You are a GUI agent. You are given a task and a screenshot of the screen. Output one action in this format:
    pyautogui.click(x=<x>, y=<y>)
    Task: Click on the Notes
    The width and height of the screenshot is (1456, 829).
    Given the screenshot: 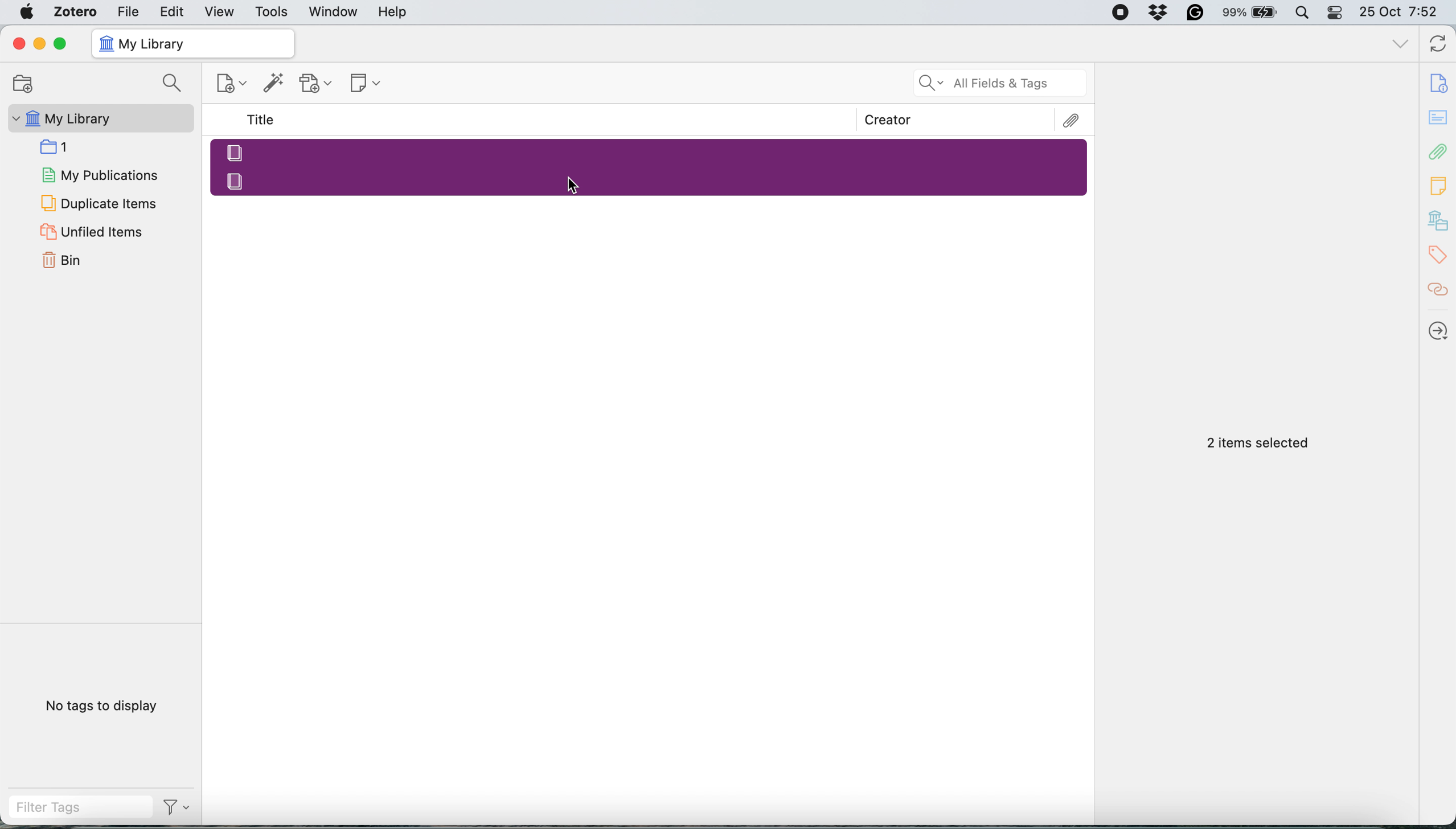 What is the action you would take?
    pyautogui.click(x=1439, y=183)
    